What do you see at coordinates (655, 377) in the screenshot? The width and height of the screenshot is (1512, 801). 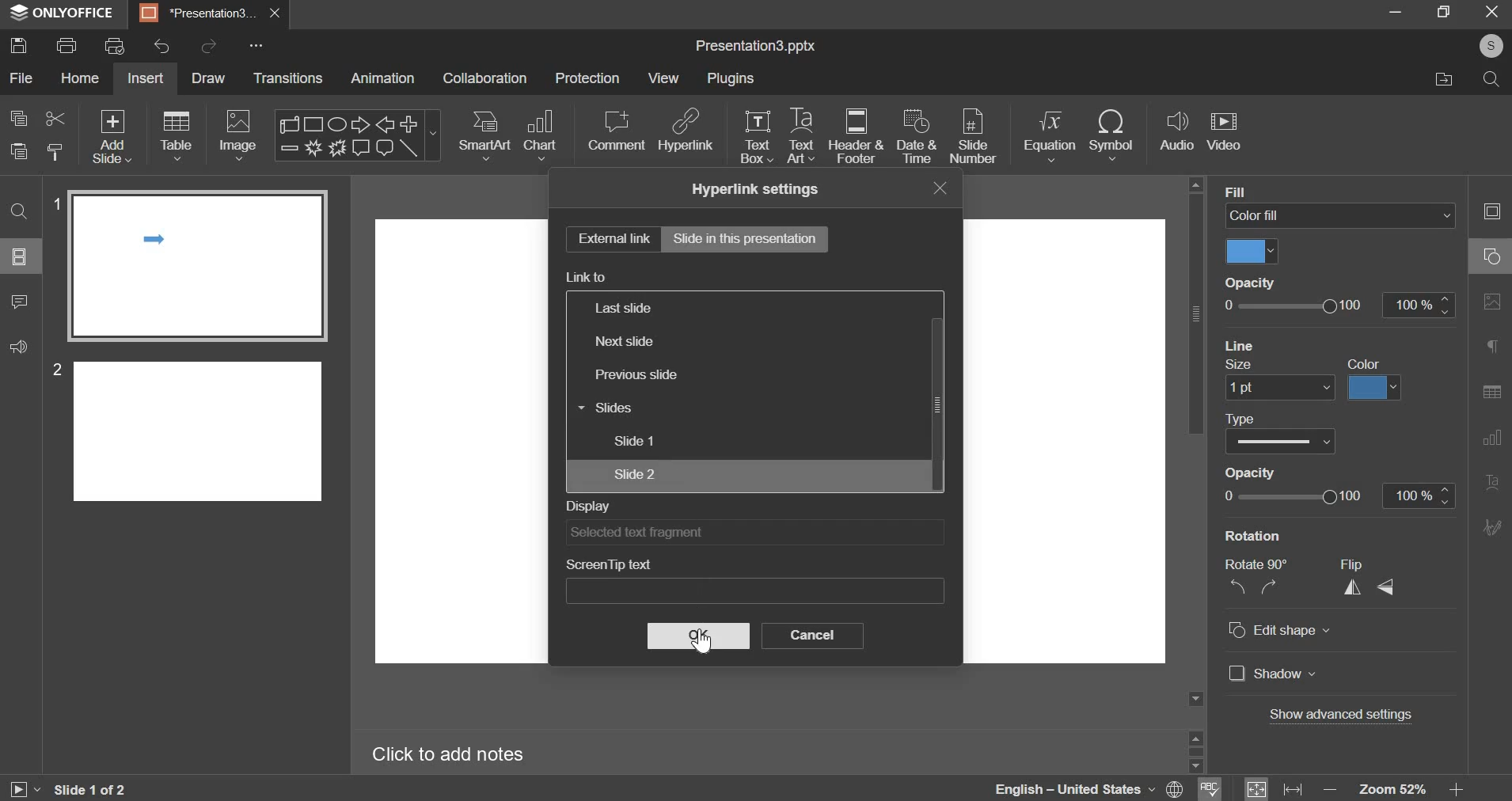 I see `Previous slide` at bounding box center [655, 377].